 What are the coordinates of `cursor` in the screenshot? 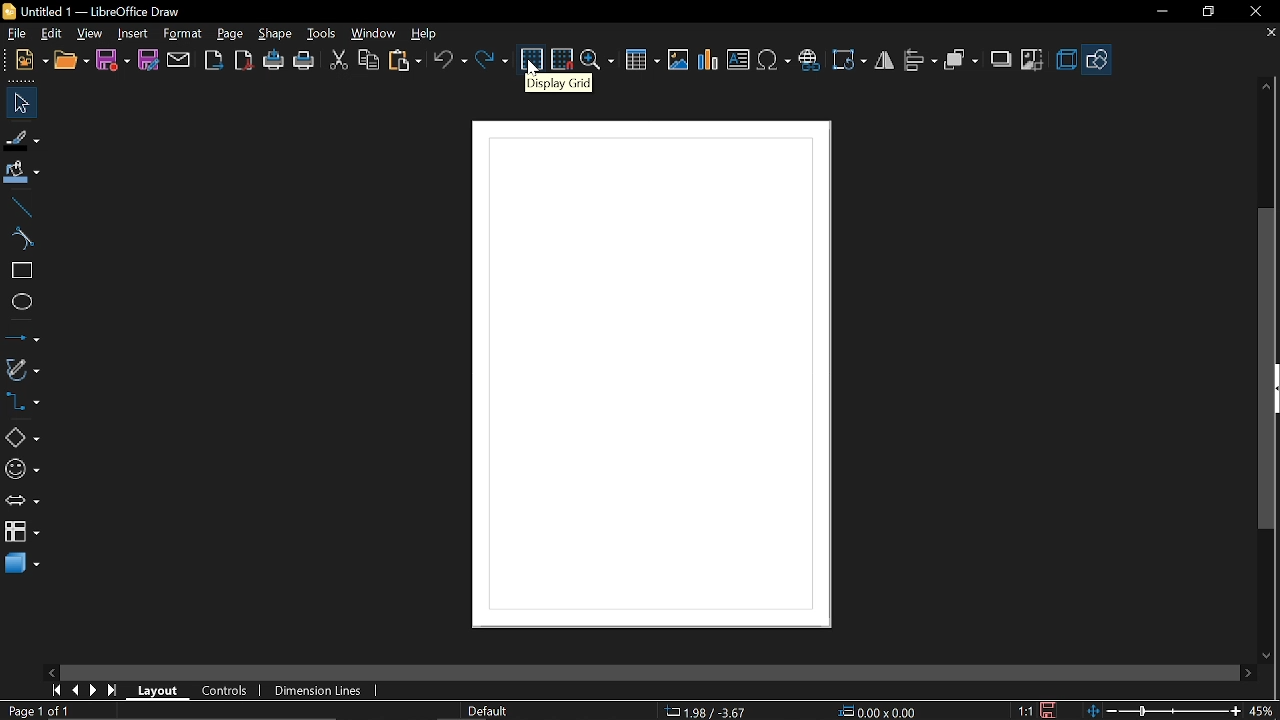 It's located at (533, 69).